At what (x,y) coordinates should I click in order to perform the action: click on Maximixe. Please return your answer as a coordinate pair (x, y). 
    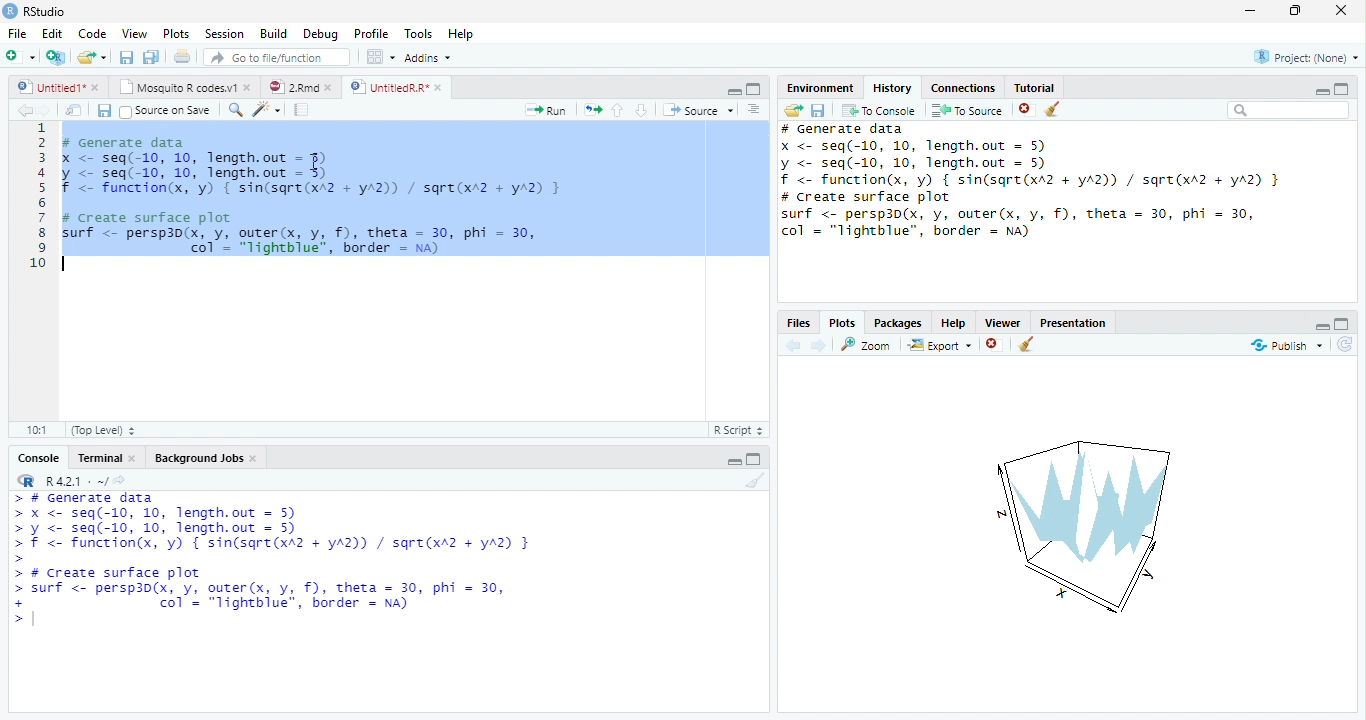
    Looking at the image, I should click on (754, 88).